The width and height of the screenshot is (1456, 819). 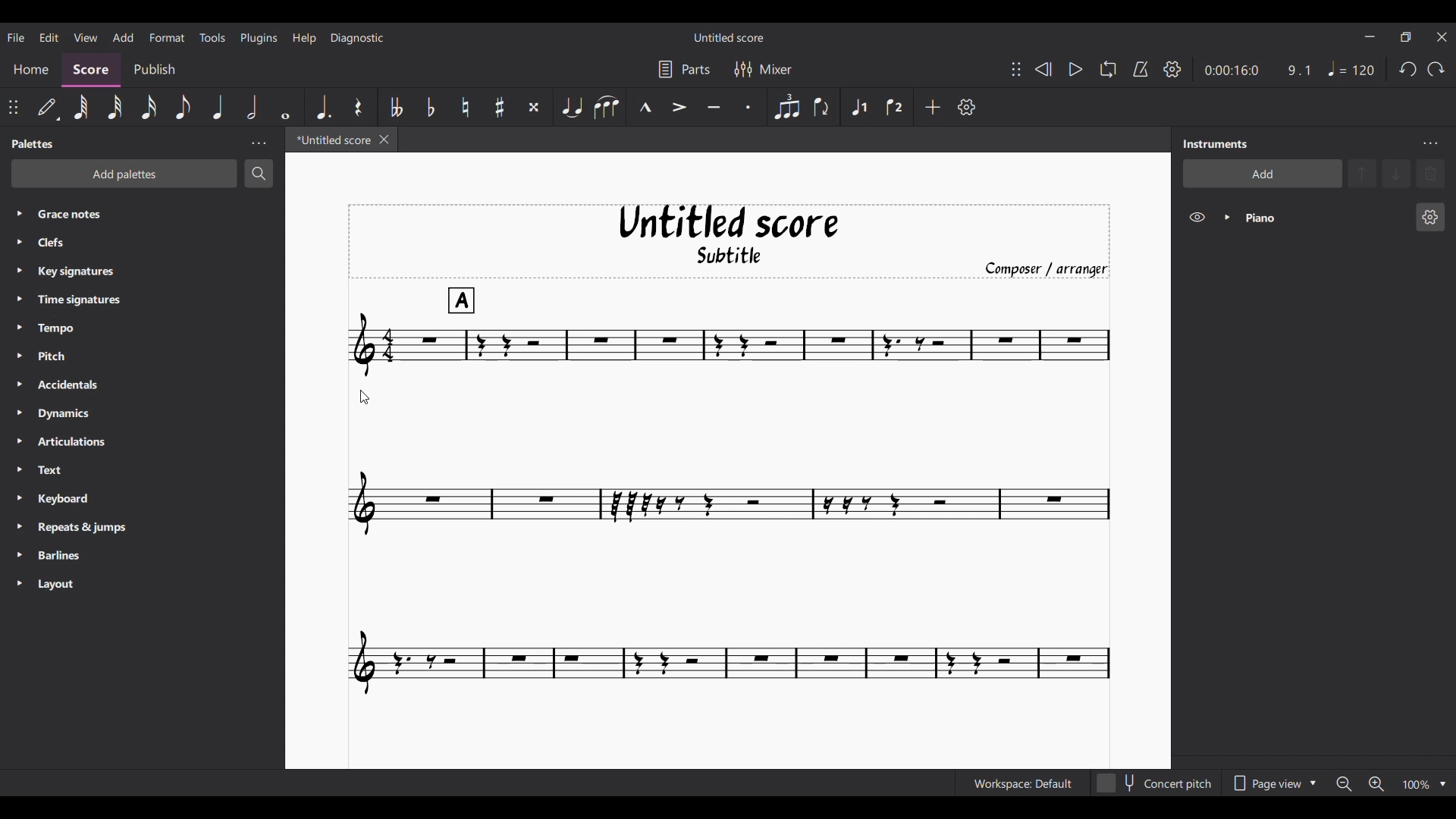 I want to click on Keyboard, so click(x=82, y=500).